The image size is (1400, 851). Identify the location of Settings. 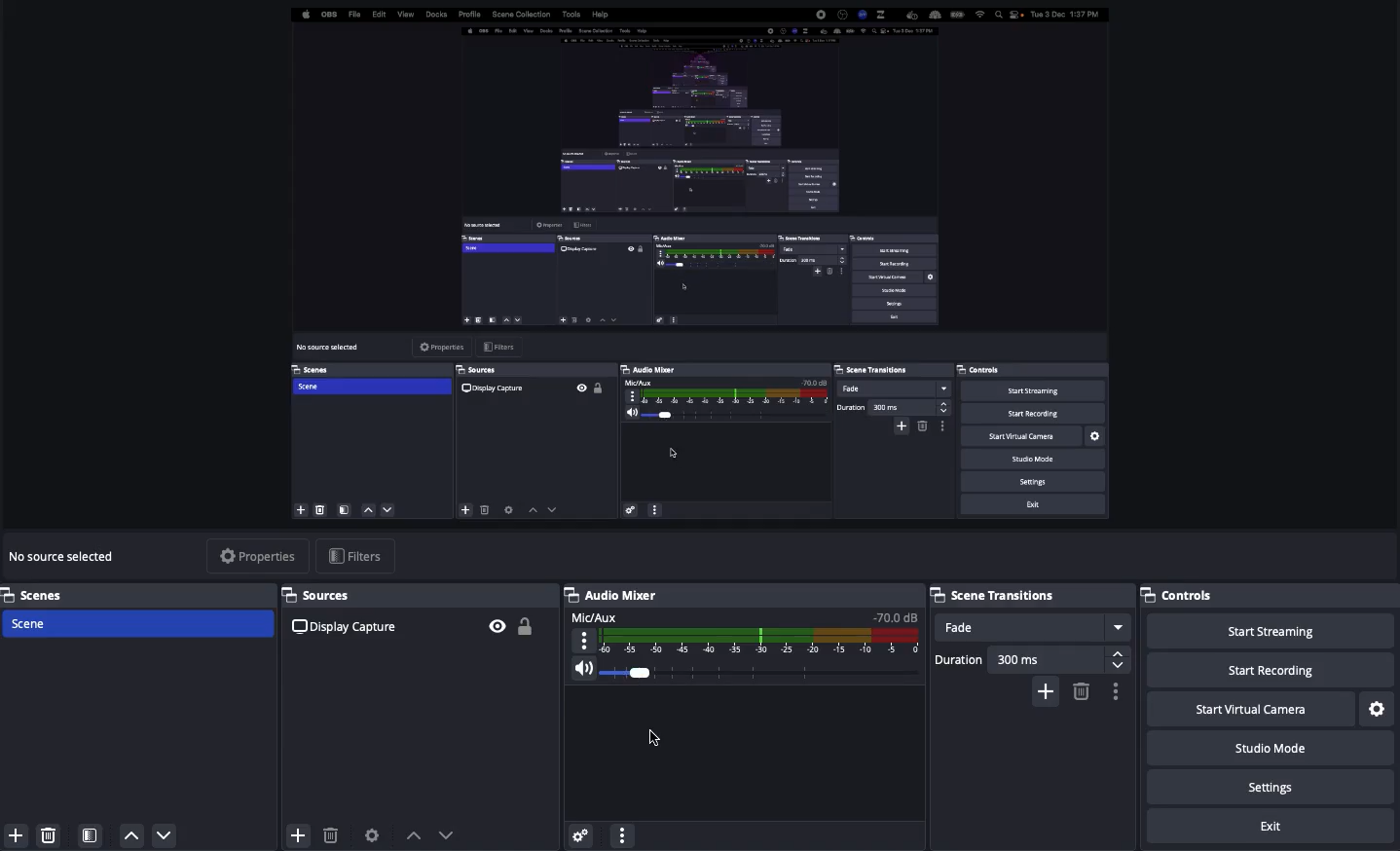
(1378, 708).